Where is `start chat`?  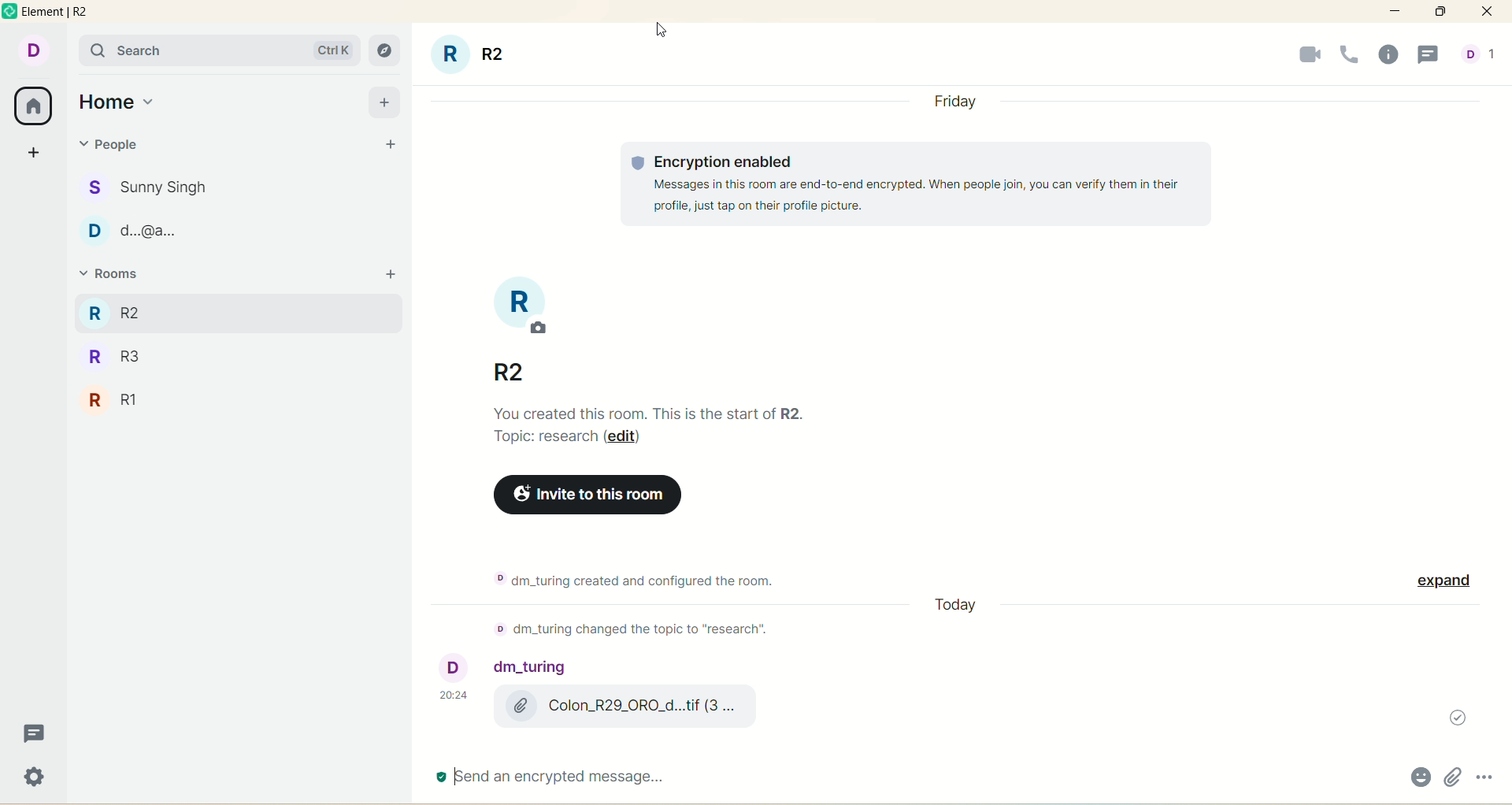 start chat is located at coordinates (388, 146).